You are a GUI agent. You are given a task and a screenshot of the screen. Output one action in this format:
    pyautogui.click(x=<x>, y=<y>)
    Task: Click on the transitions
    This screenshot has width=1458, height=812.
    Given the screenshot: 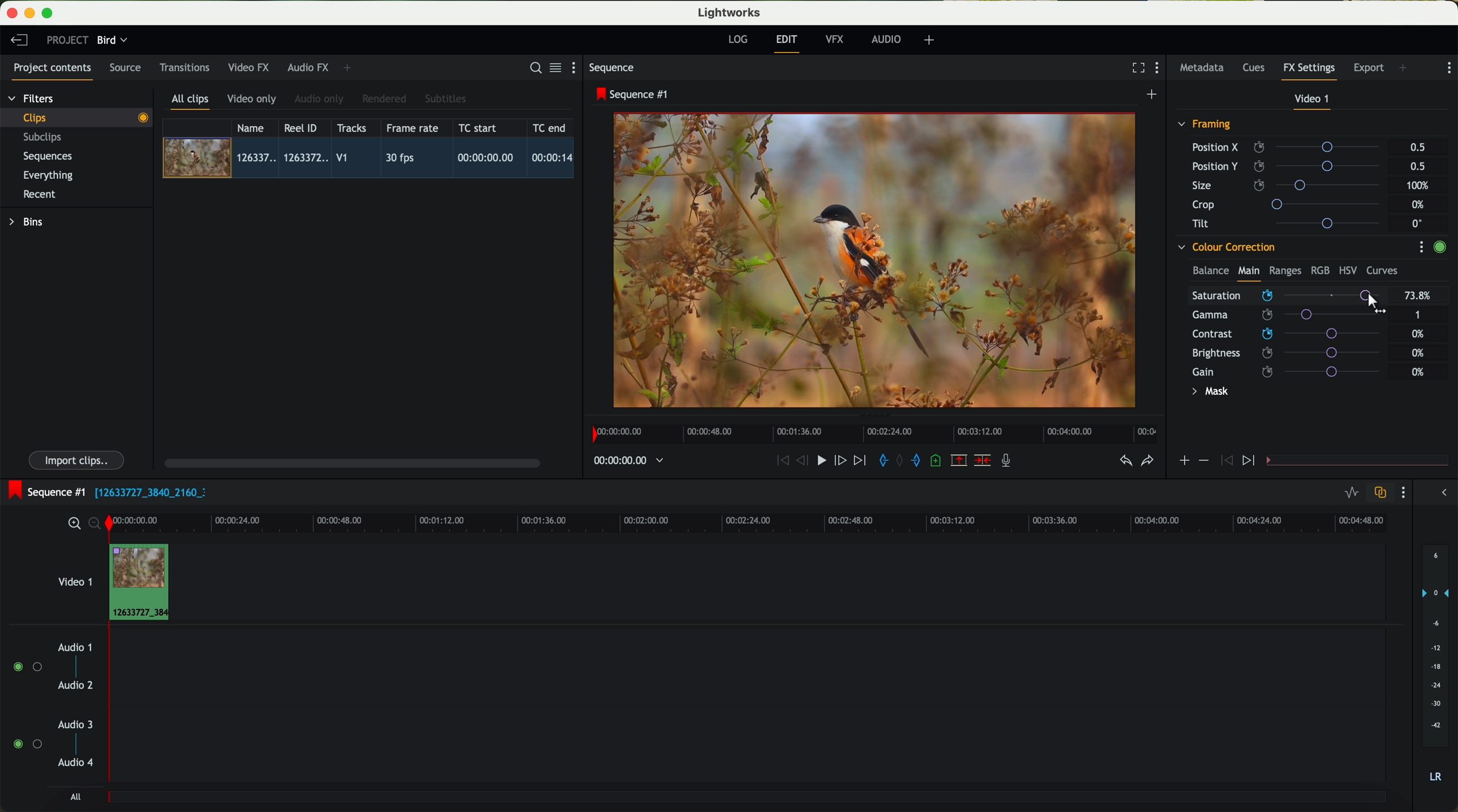 What is the action you would take?
    pyautogui.click(x=184, y=67)
    